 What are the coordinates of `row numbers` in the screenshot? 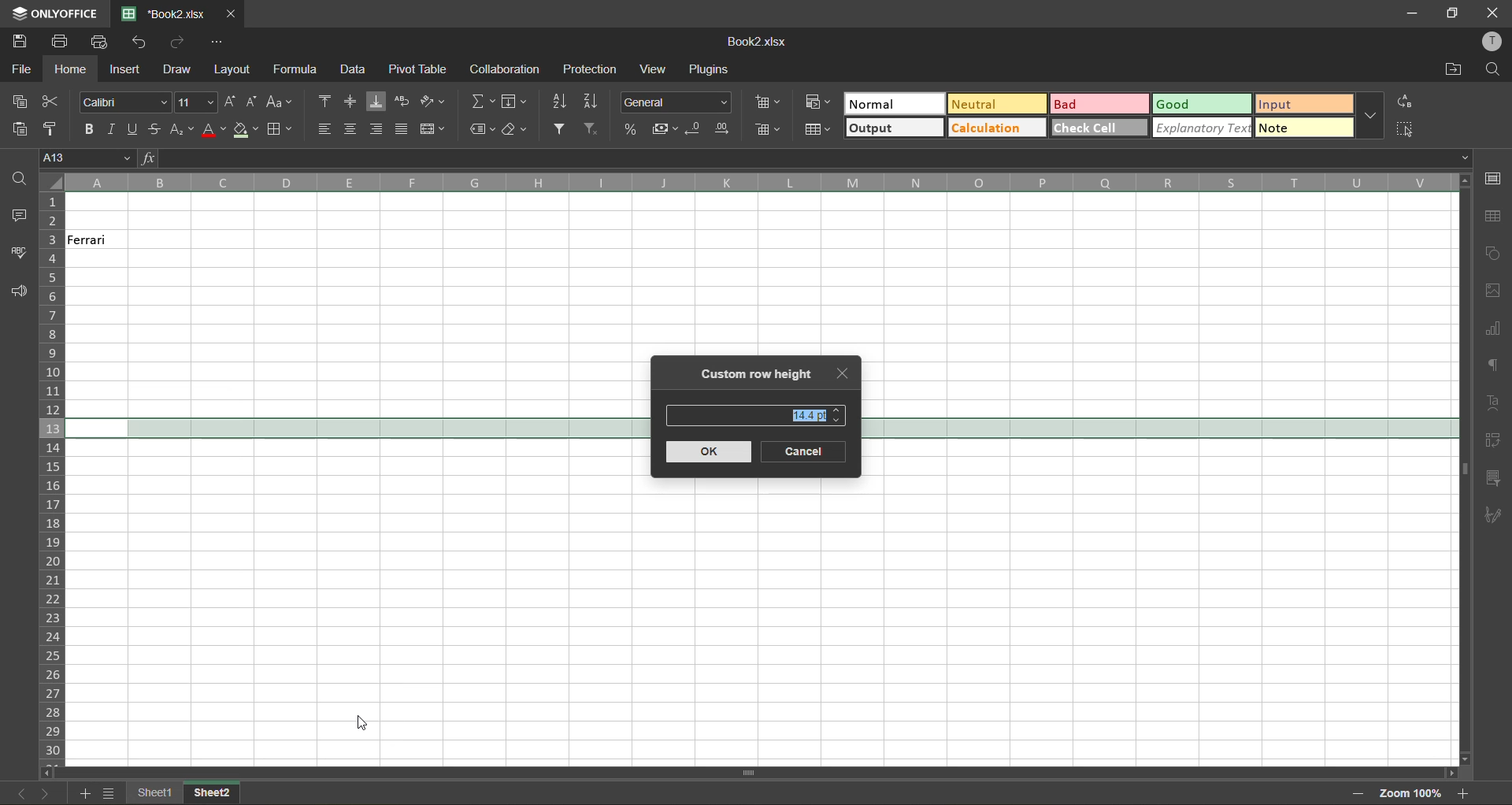 It's located at (54, 474).